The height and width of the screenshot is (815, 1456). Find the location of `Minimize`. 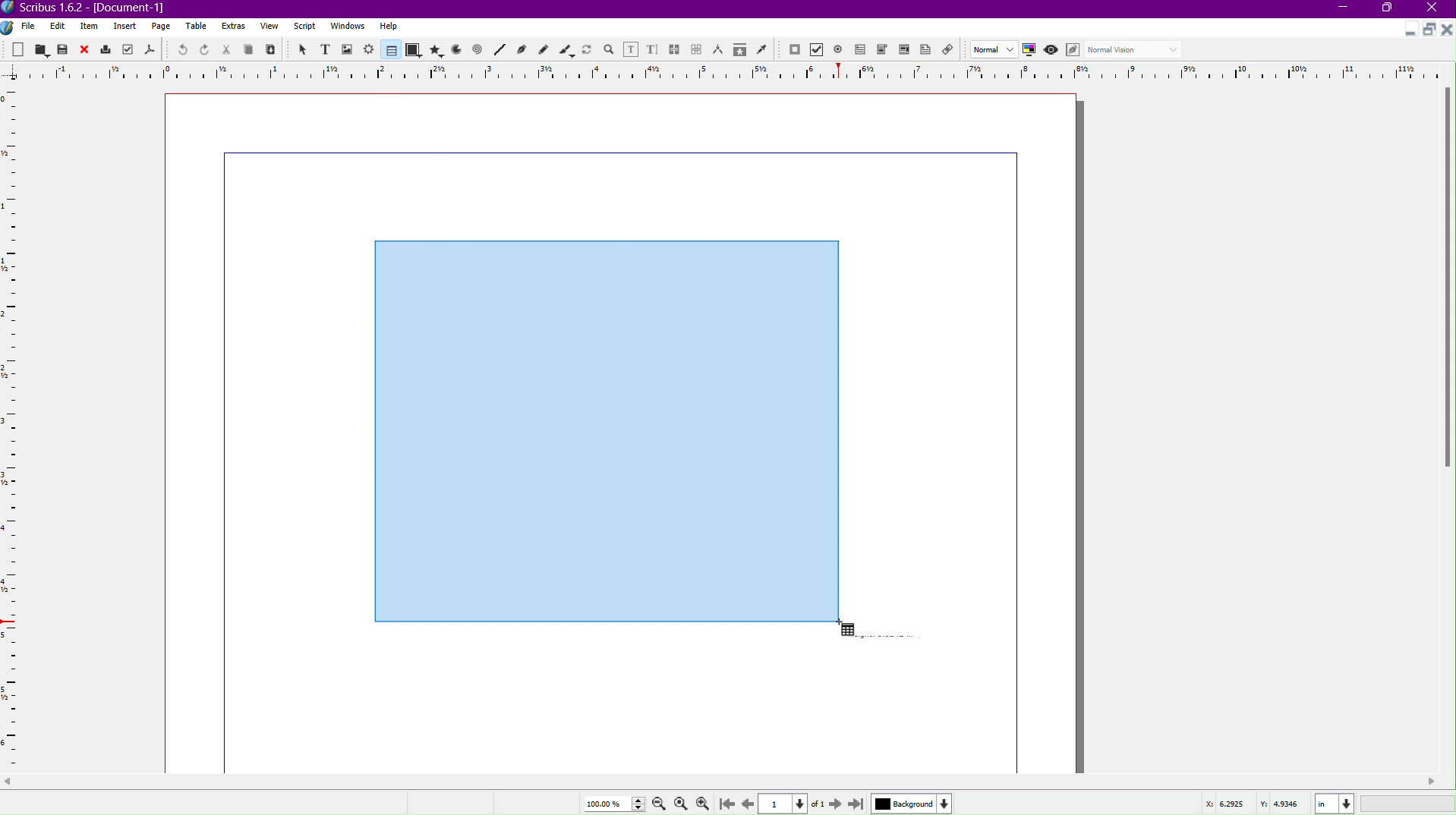

Minimize is located at coordinates (1407, 31).